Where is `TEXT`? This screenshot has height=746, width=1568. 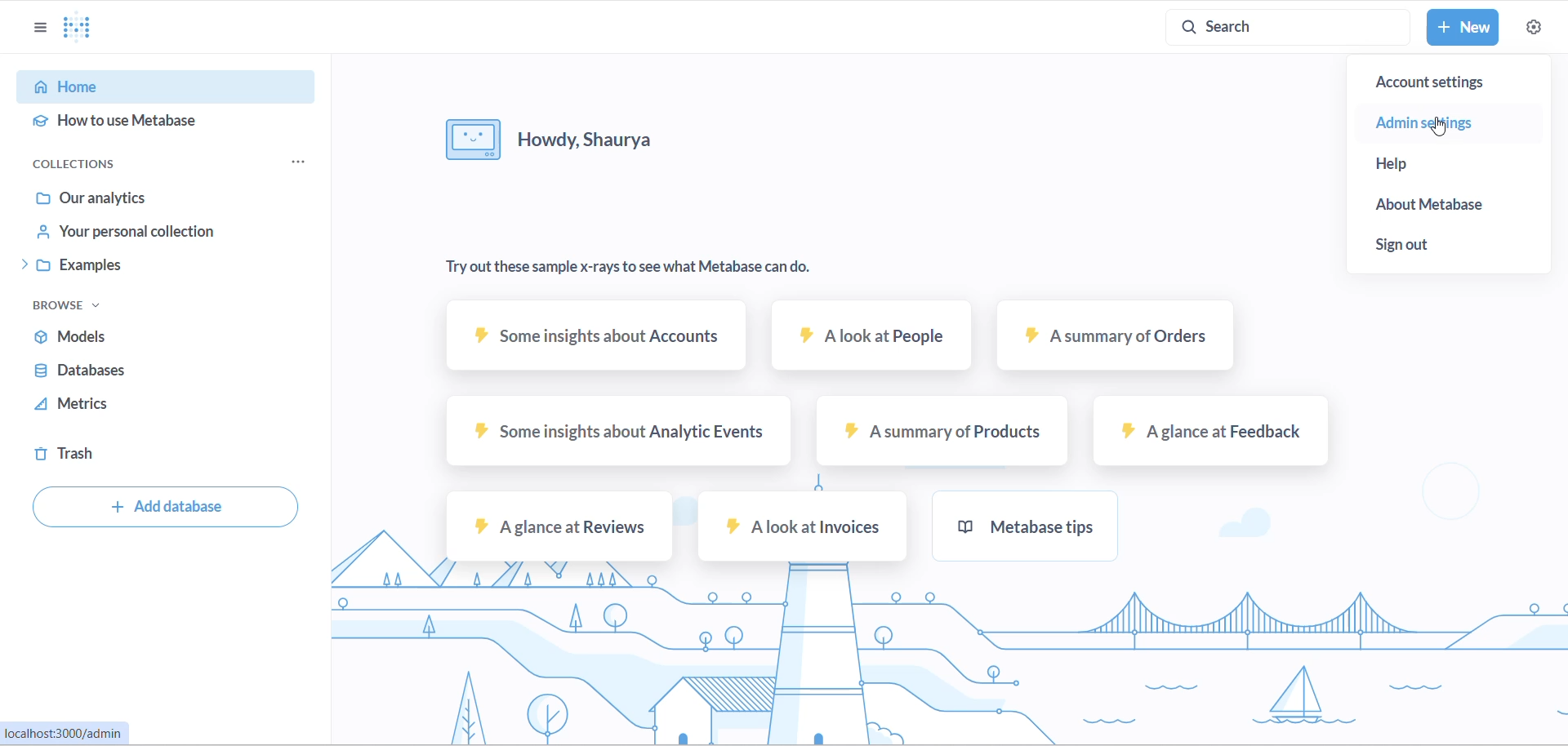 TEXT is located at coordinates (643, 264).